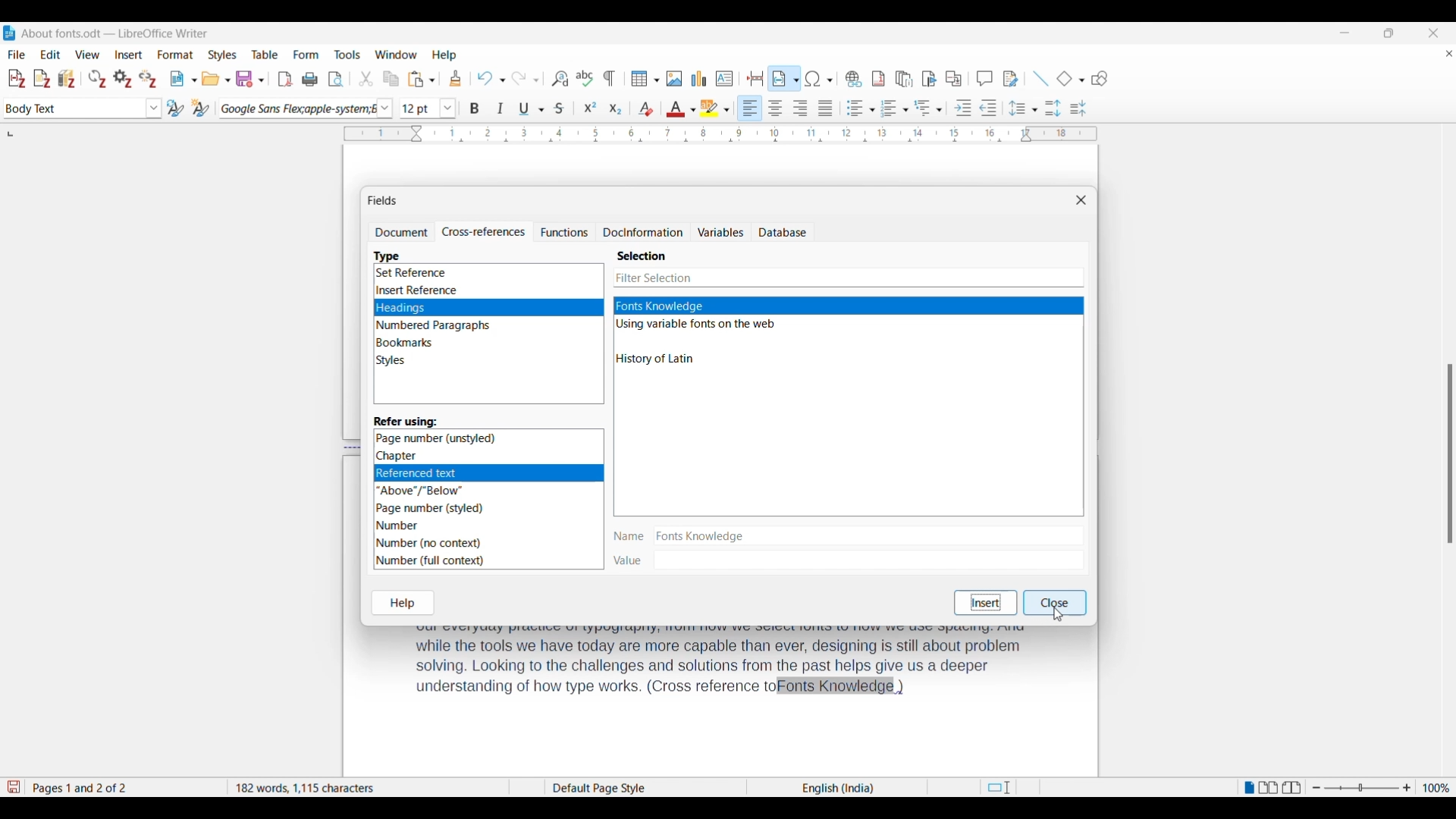 Image resolution: width=1456 pixels, height=819 pixels. I want to click on Headings, so click(488, 308).